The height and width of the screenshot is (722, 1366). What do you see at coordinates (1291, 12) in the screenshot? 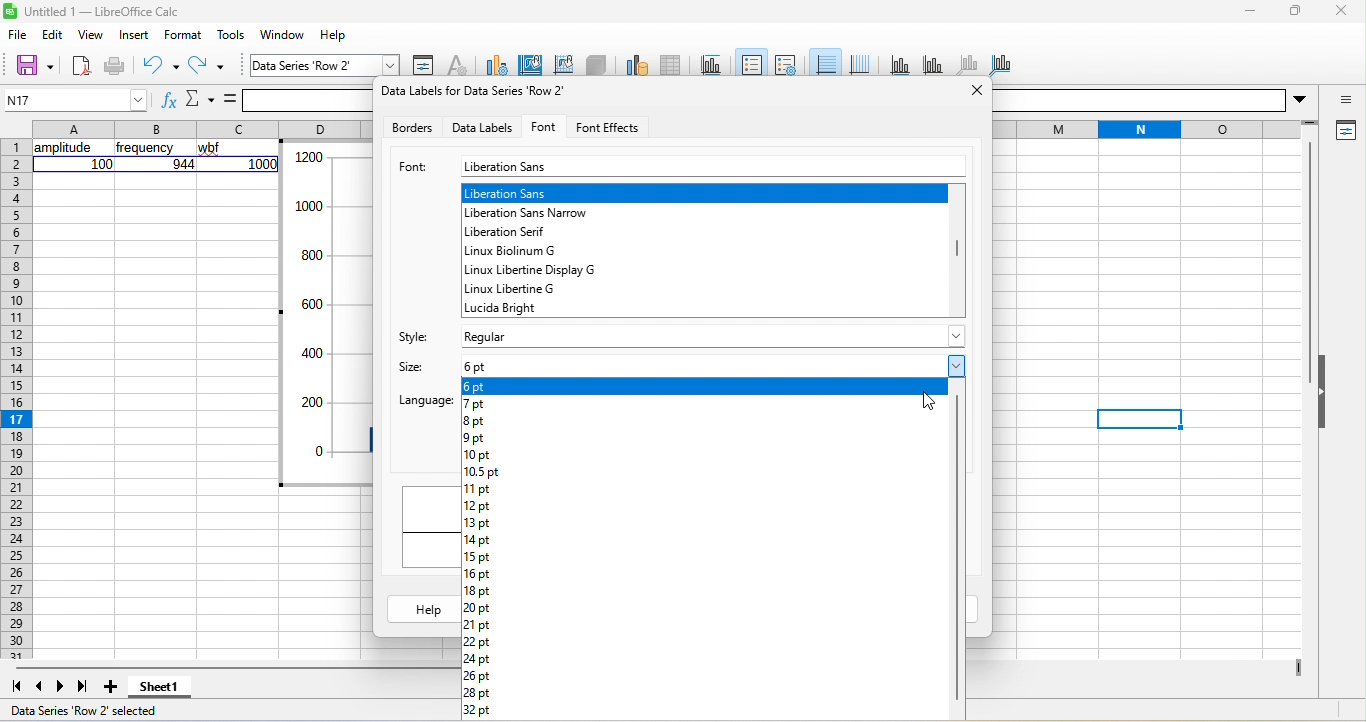
I see `maximize` at bounding box center [1291, 12].